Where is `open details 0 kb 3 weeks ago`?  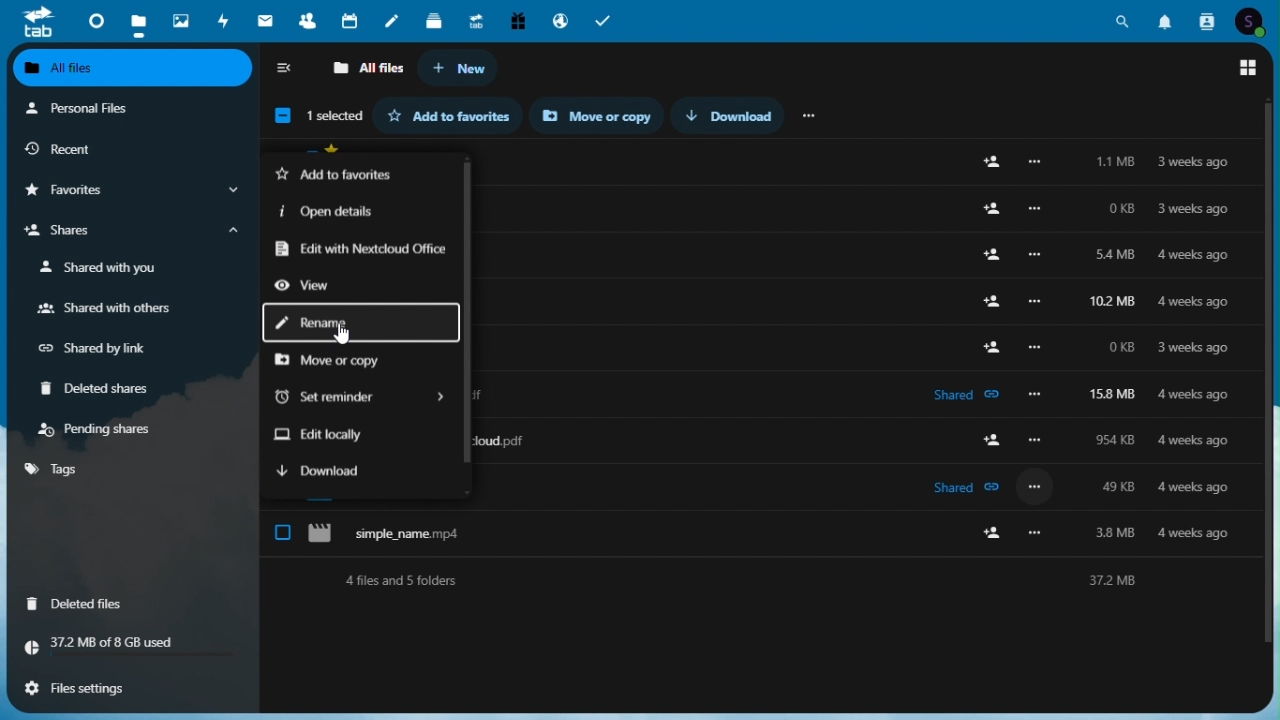 open details 0 kb 3 weeks ago is located at coordinates (756, 210).